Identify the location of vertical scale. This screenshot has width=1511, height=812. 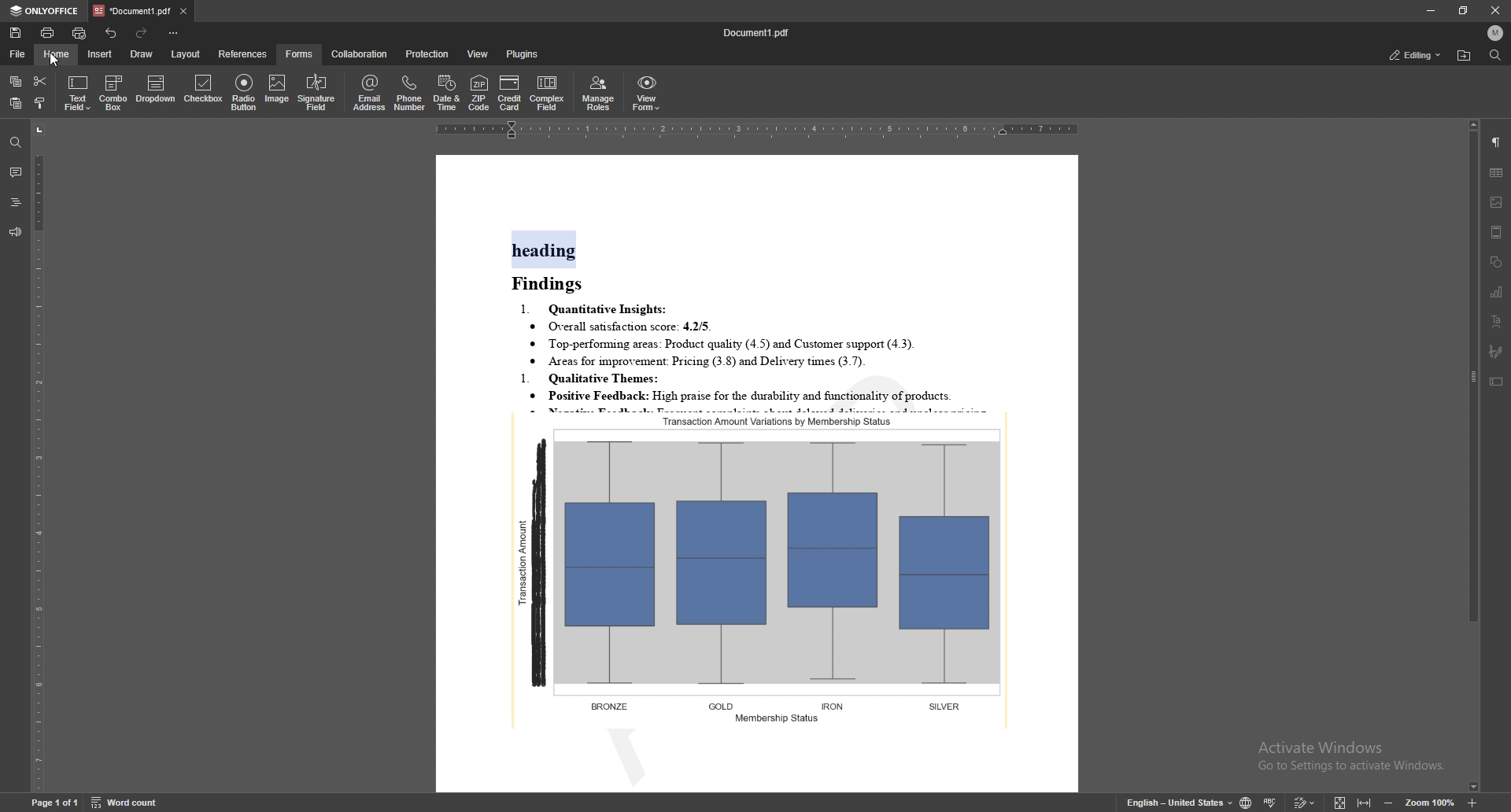
(39, 456).